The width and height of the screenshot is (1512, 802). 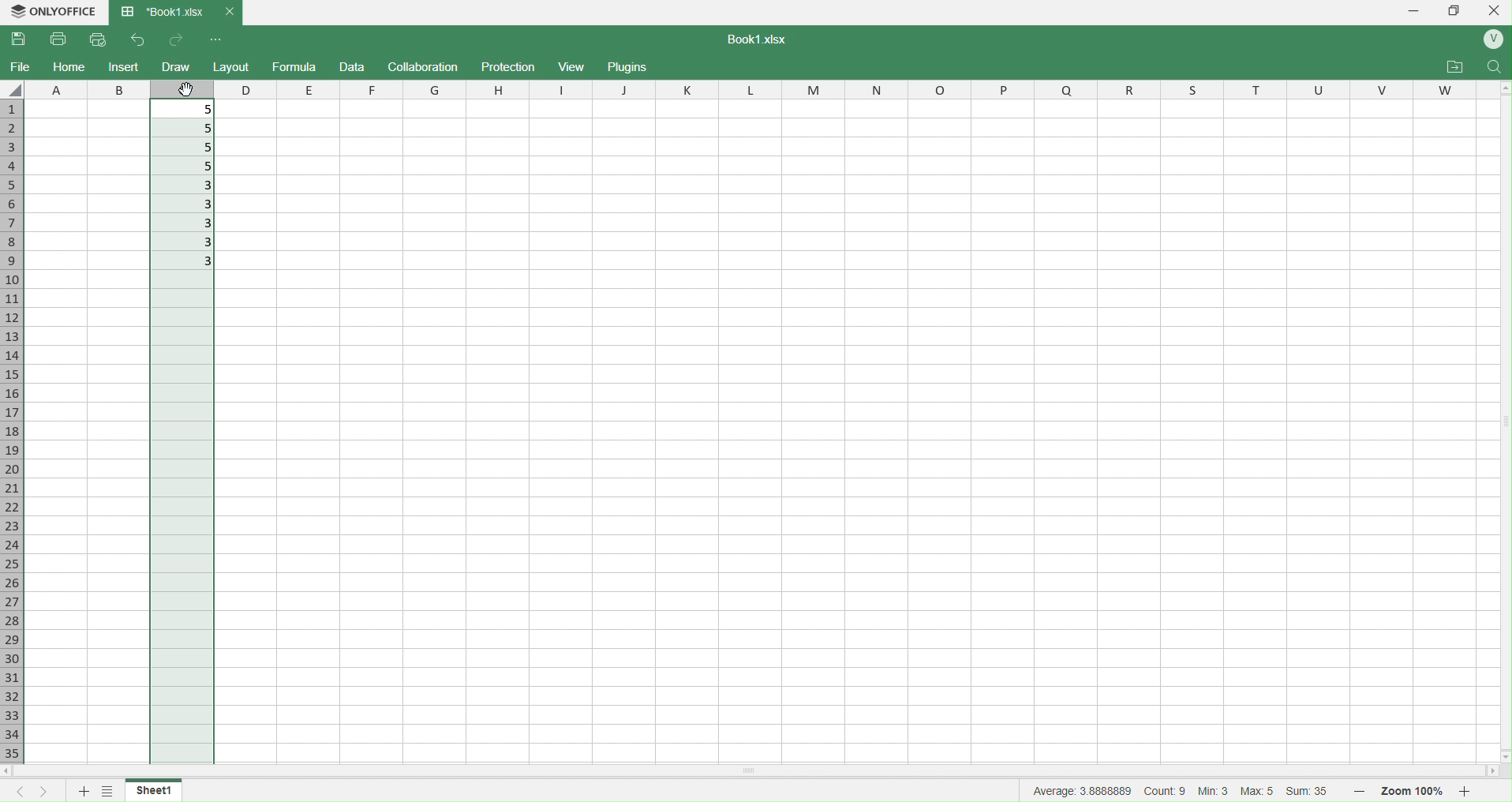 What do you see at coordinates (182, 203) in the screenshot?
I see `3` at bounding box center [182, 203].